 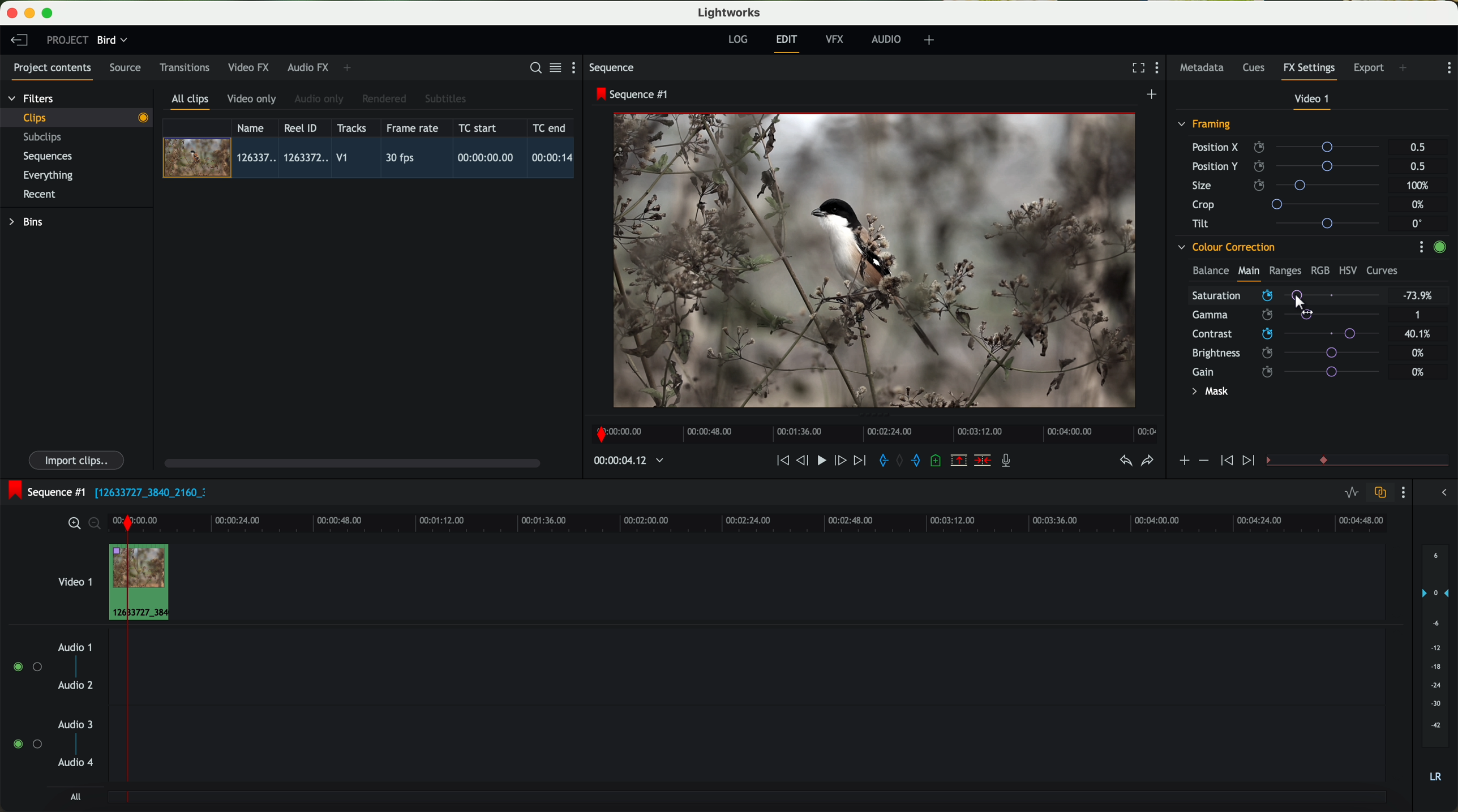 What do you see at coordinates (730, 12) in the screenshot?
I see `Lightworks` at bounding box center [730, 12].